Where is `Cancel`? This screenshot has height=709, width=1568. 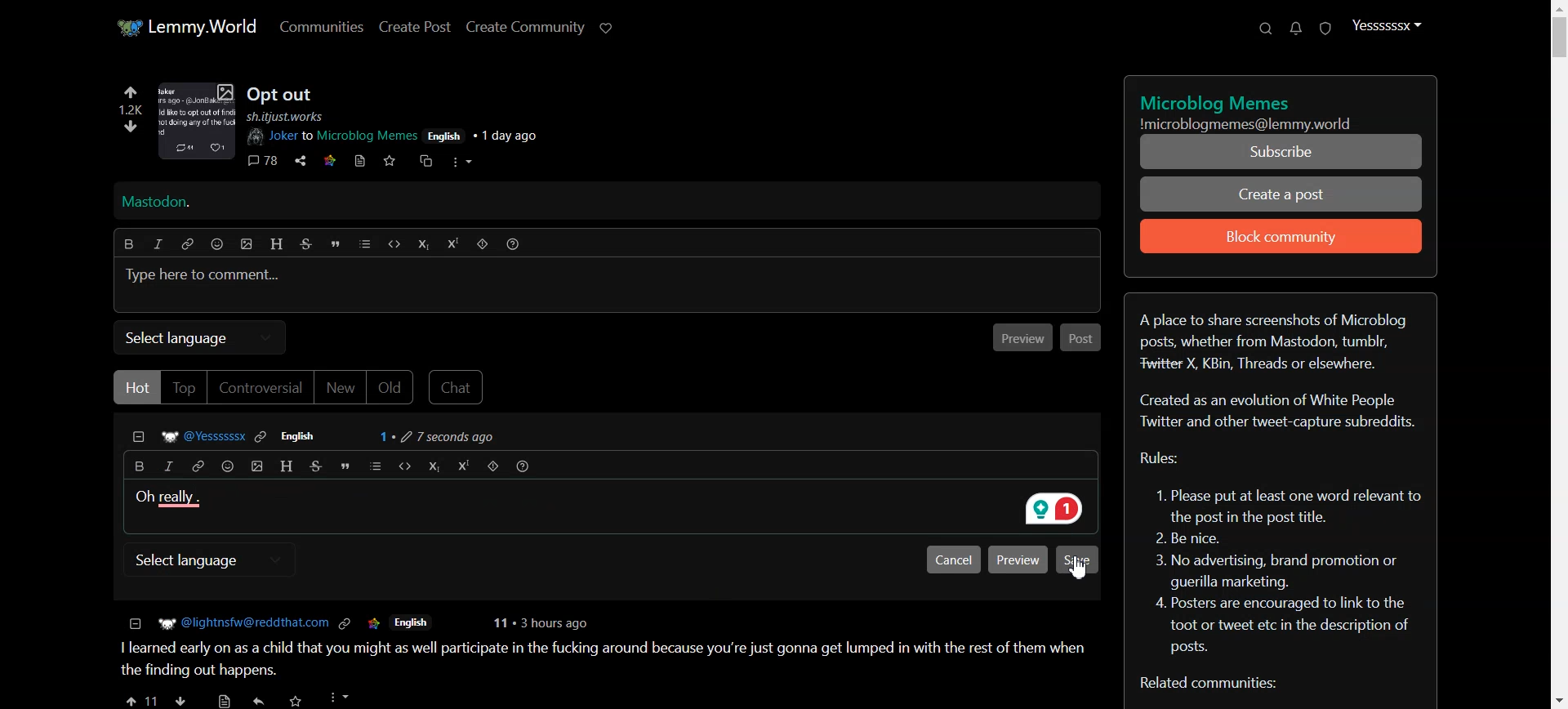 Cancel is located at coordinates (953, 559).